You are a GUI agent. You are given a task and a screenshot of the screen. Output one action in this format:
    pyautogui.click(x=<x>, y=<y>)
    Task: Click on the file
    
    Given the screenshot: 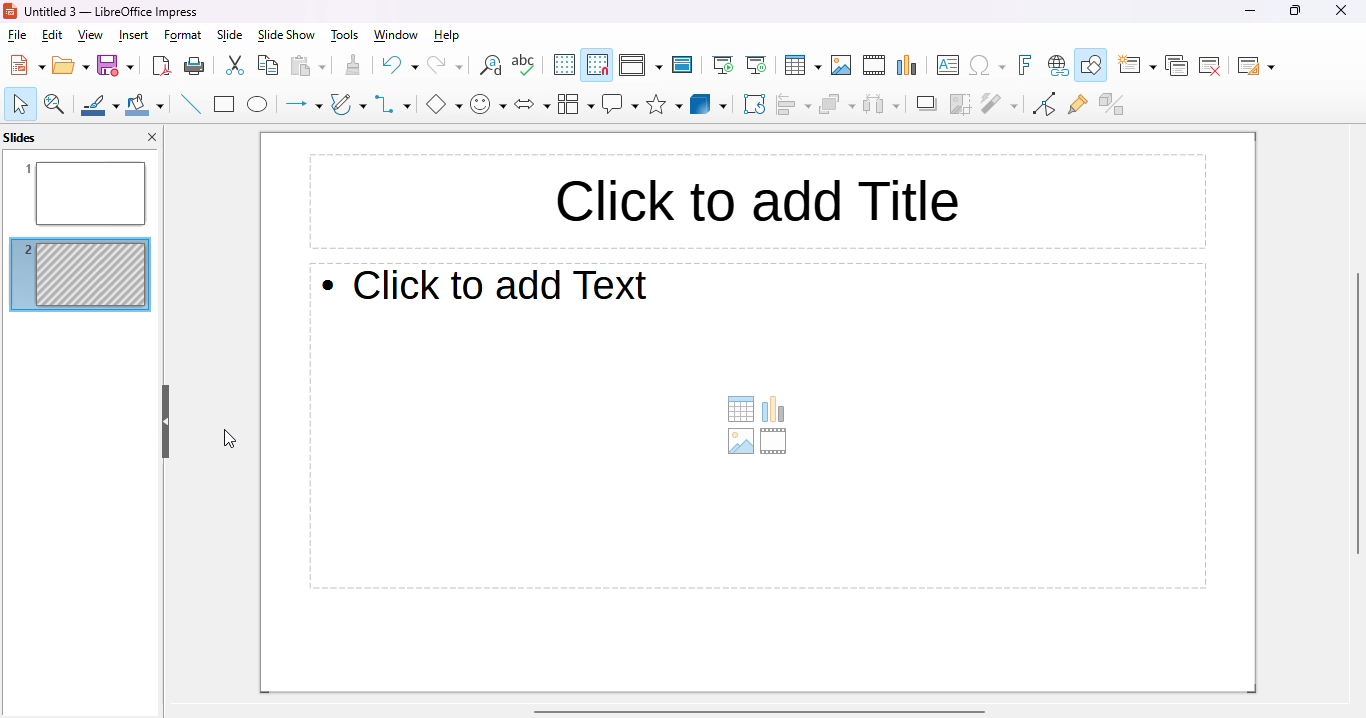 What is the action you would take?
    pyautogui.click(x=17, y=35)
    